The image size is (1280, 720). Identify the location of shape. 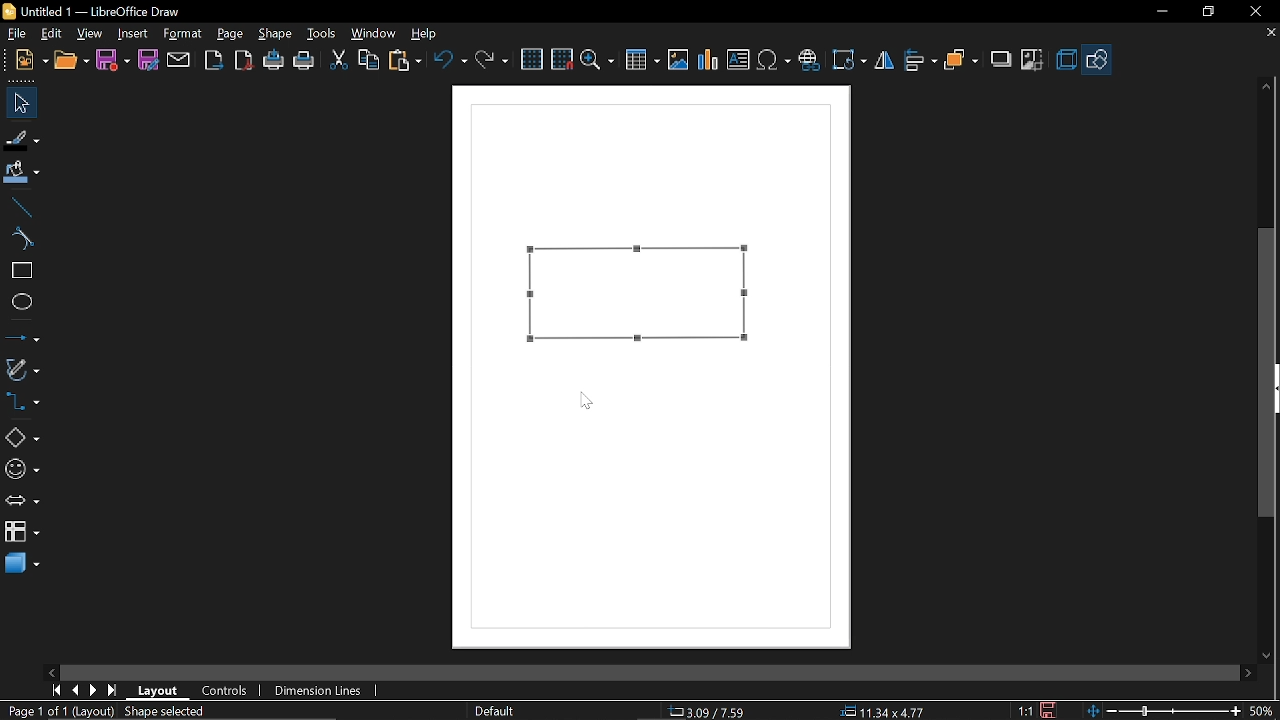
(274, 33).